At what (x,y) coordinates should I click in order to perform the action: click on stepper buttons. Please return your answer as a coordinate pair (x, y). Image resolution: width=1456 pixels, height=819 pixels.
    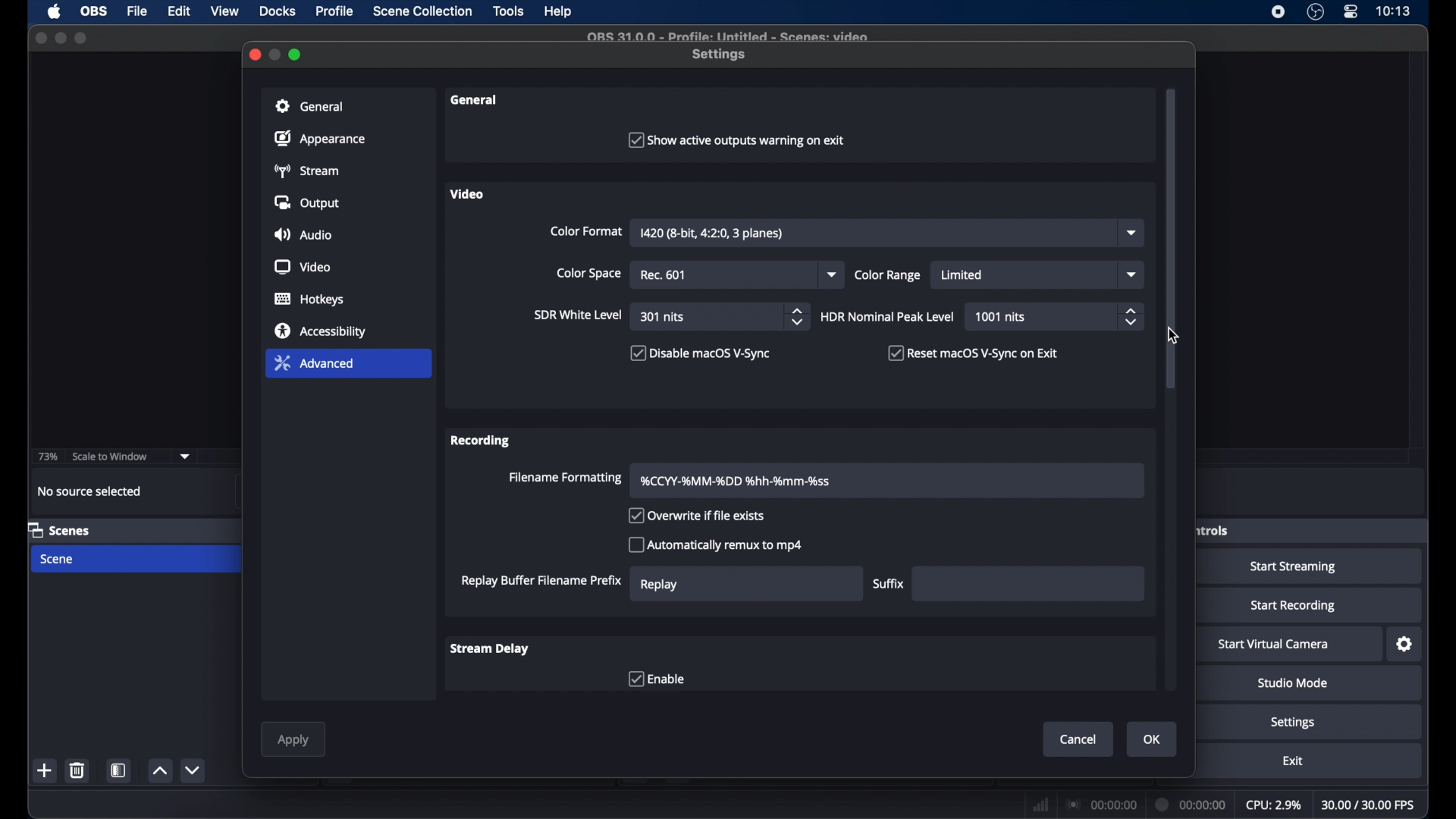
    Looking at the image, I should click on (797, 316).